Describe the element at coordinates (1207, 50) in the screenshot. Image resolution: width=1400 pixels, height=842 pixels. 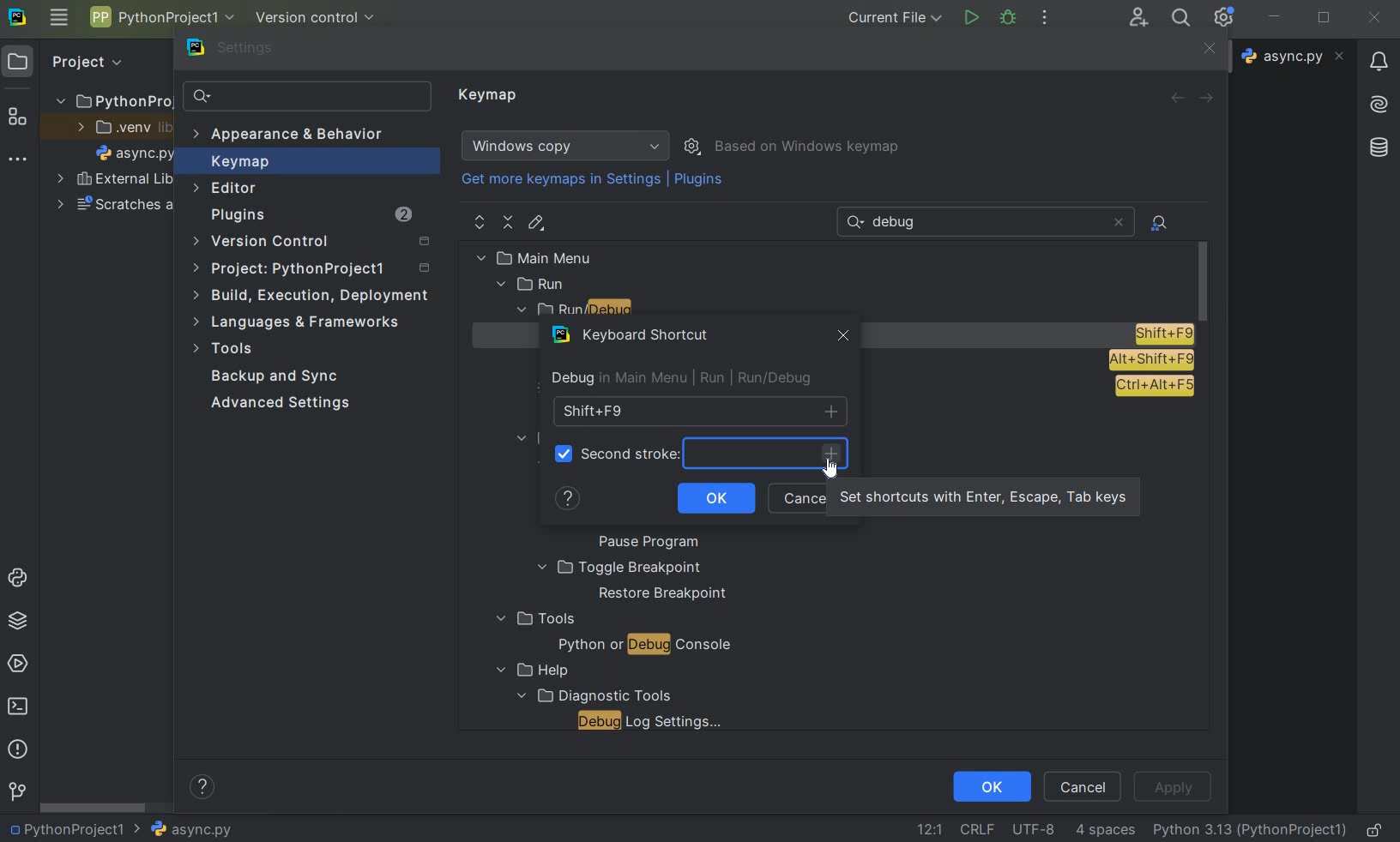
I see `close` at that location.